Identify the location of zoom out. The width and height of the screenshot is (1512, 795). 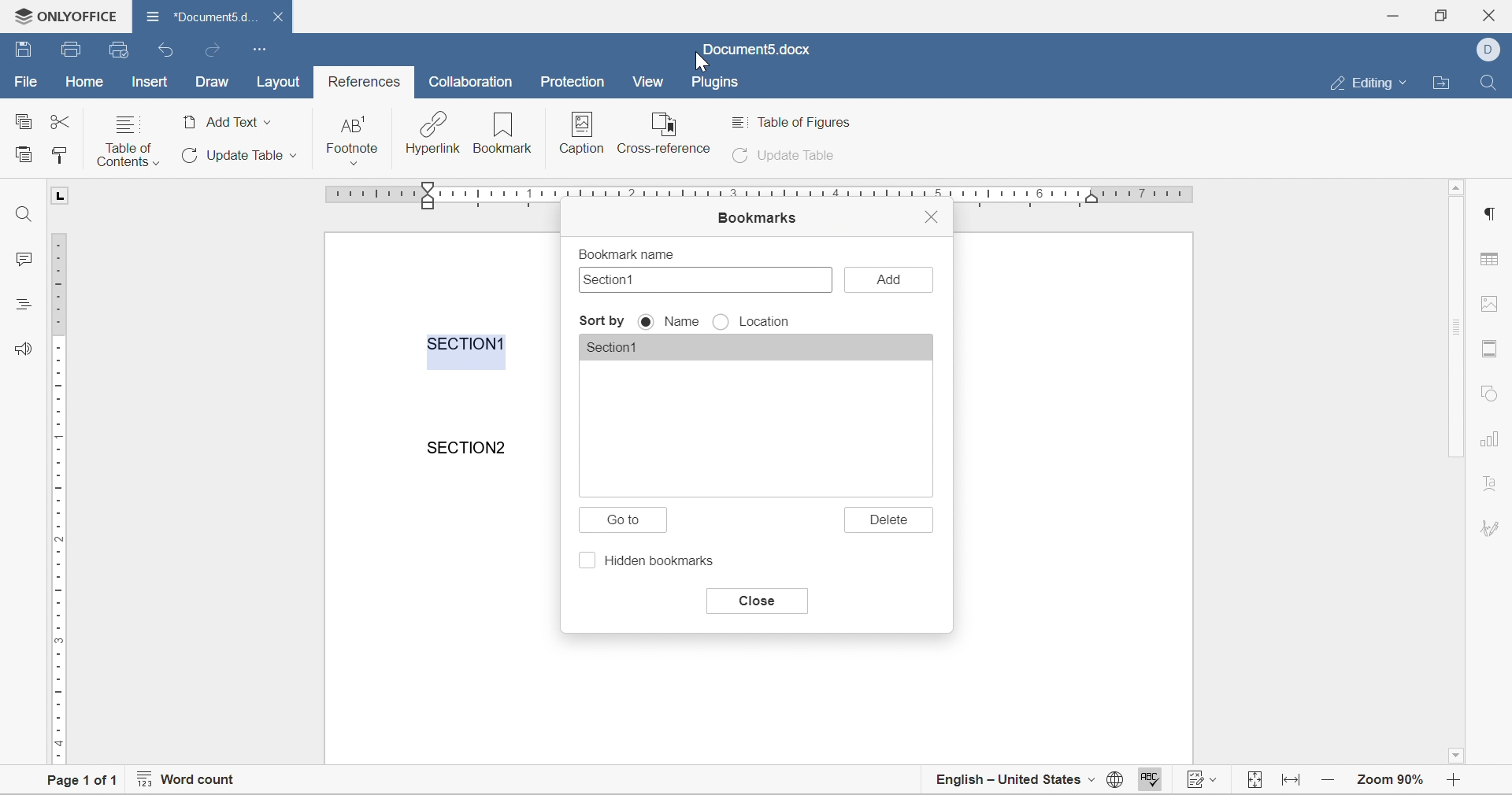
(1458, 782).